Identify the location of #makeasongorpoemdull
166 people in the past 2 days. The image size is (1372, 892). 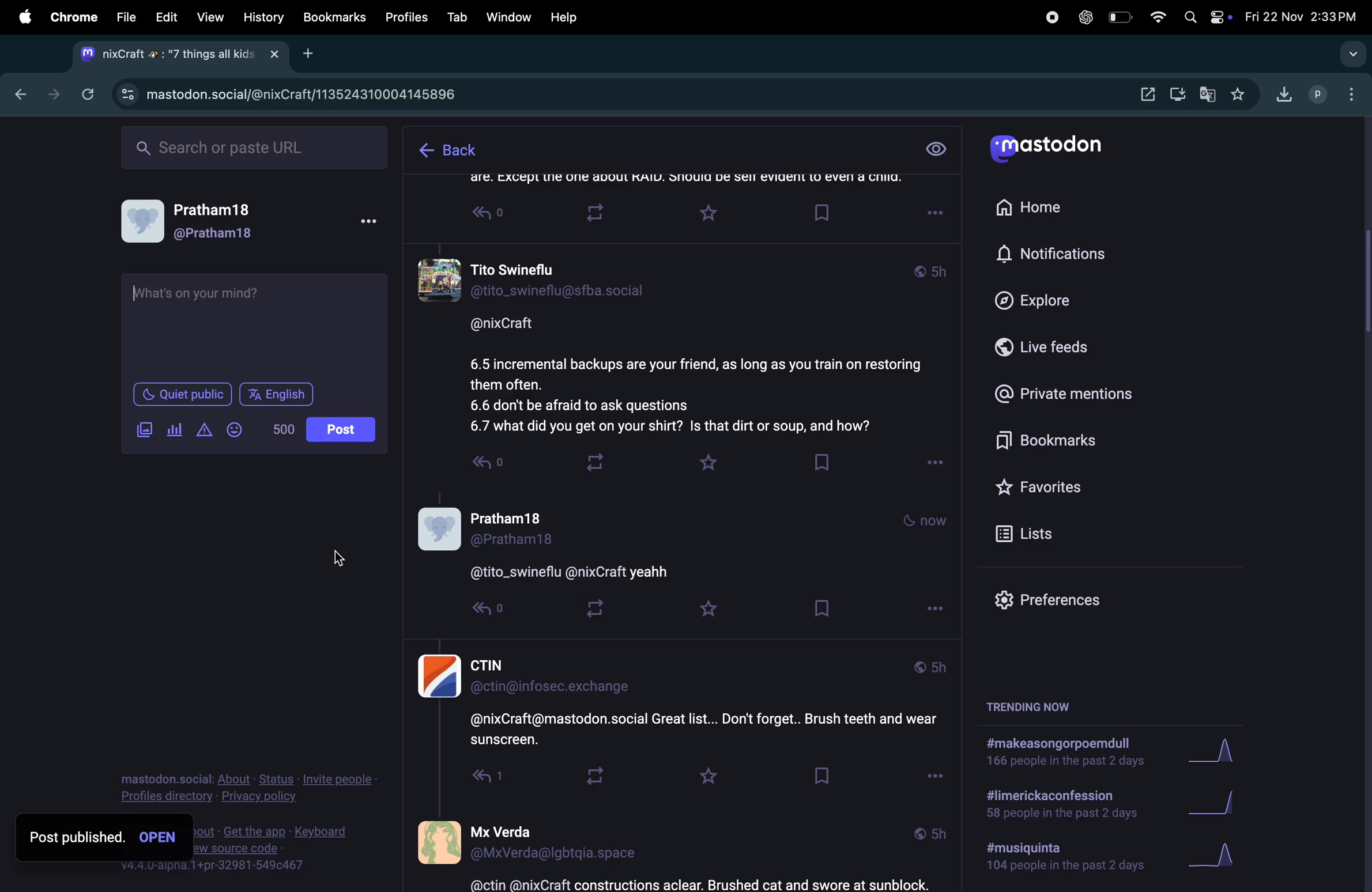
(1063, 754).